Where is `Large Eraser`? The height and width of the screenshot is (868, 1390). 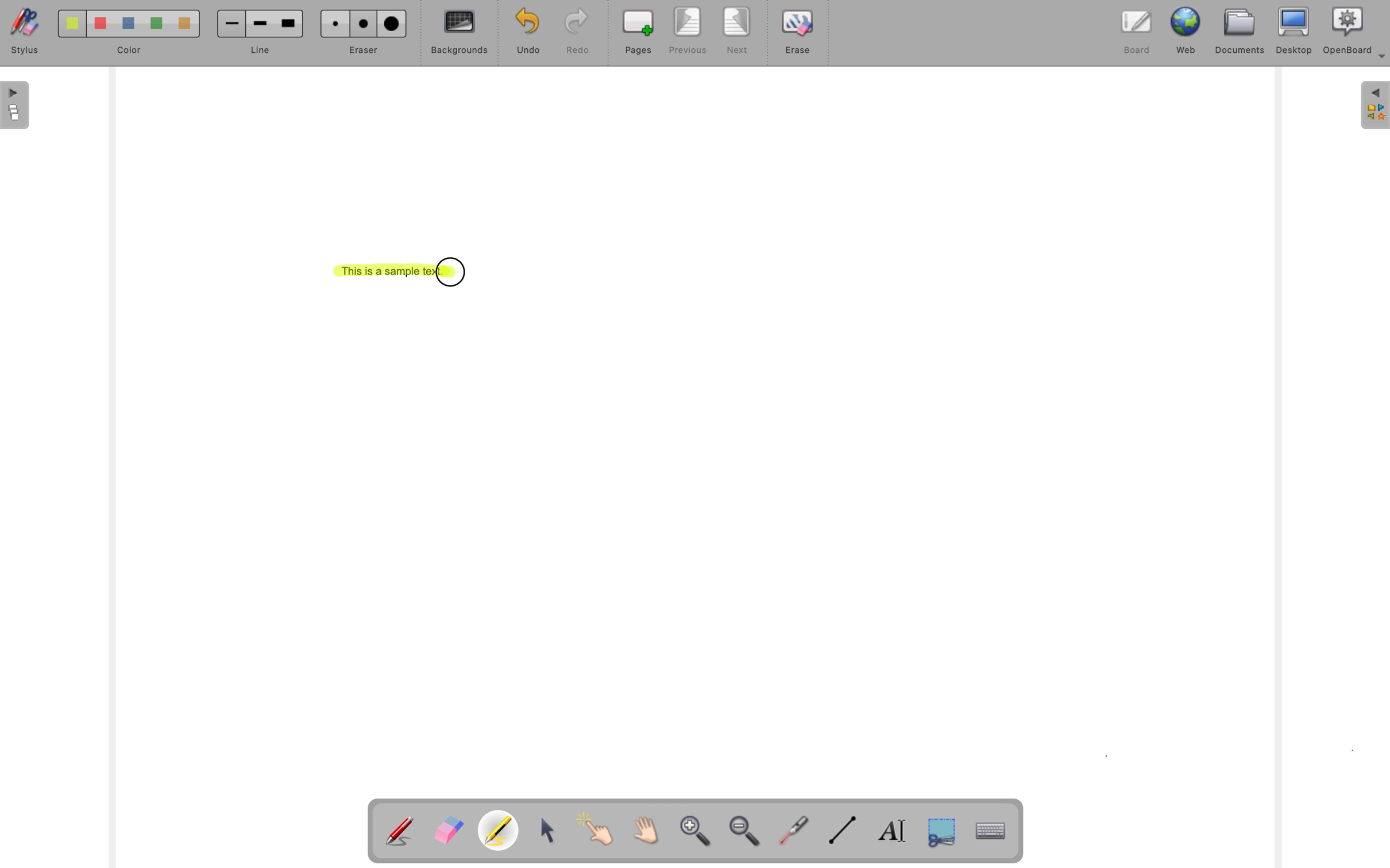 Large Eraser is located at coordinates (391, 24).